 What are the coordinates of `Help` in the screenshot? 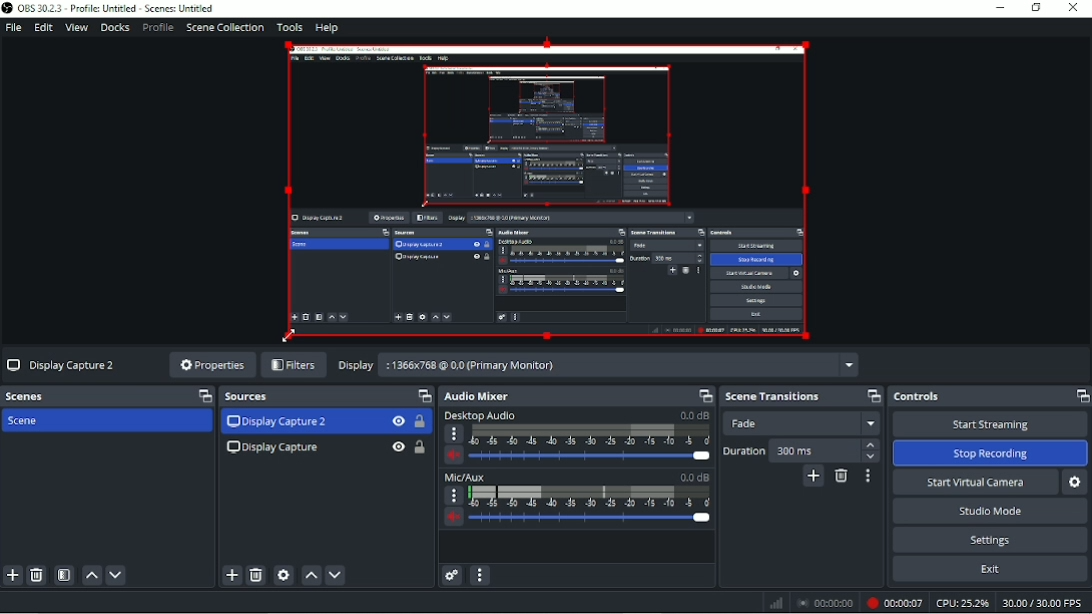 It's located at (326, 29).